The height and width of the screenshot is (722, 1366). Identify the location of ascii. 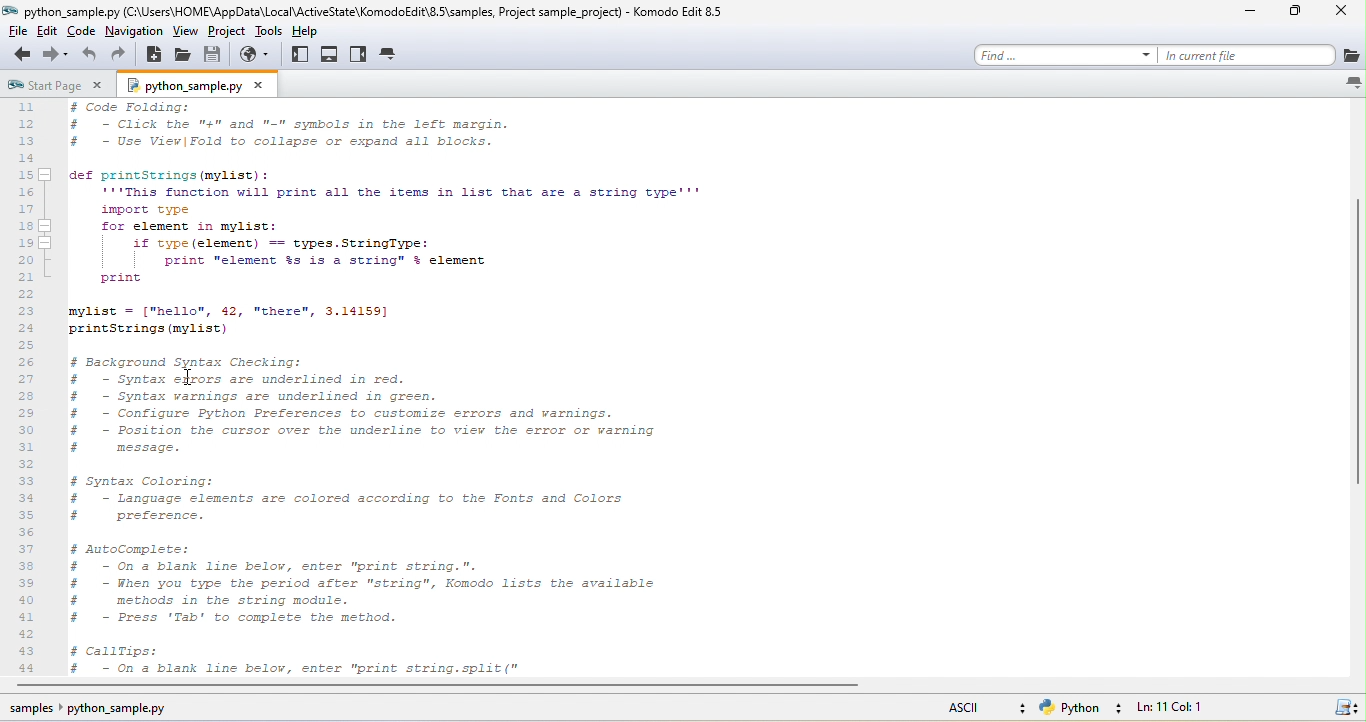
(981, 706).